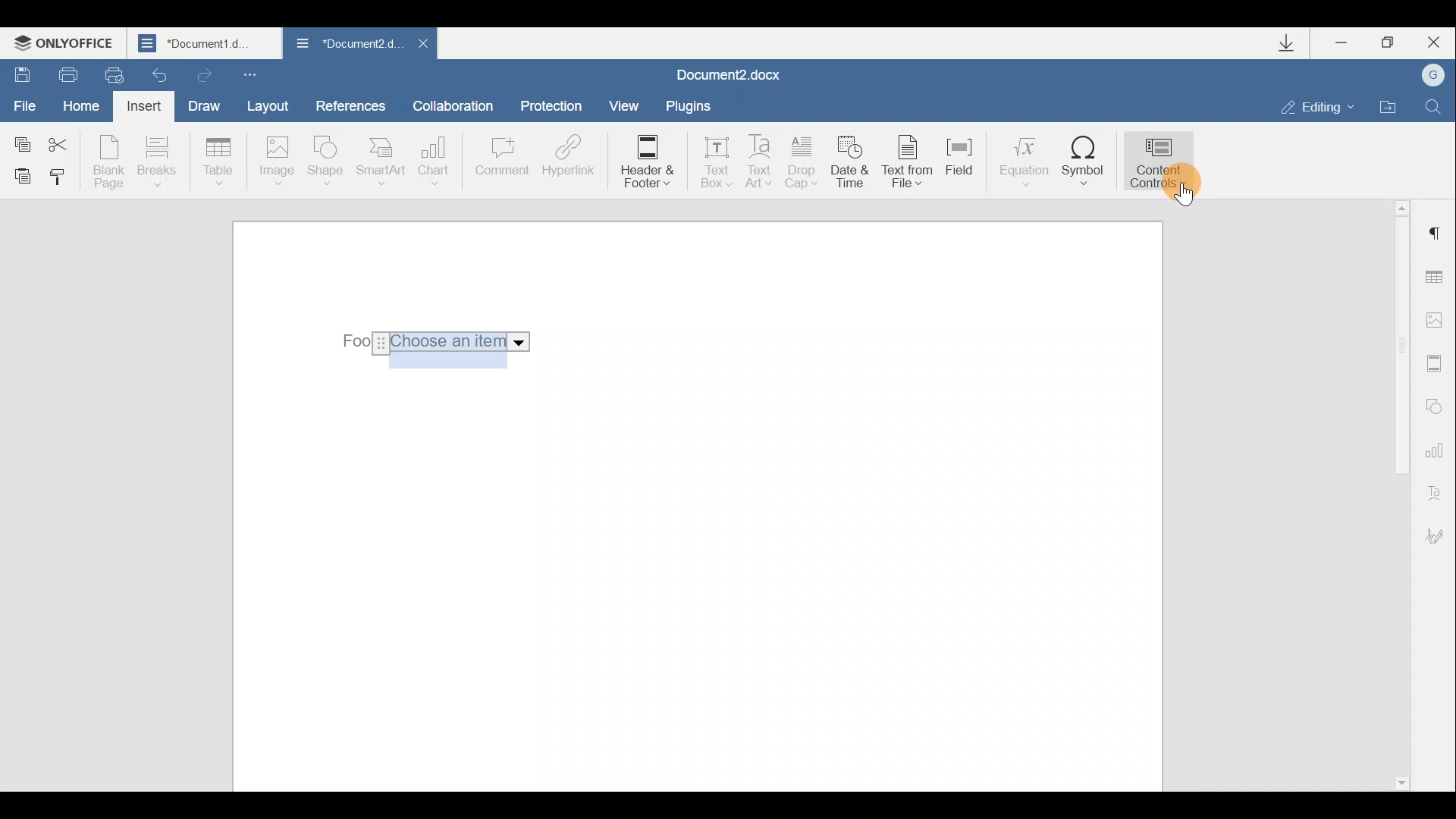 This screenshot has height=819, width=1456. Describe the element at coordinates (565, 158) in the screenshot. I see `Hyperlink` at that location.